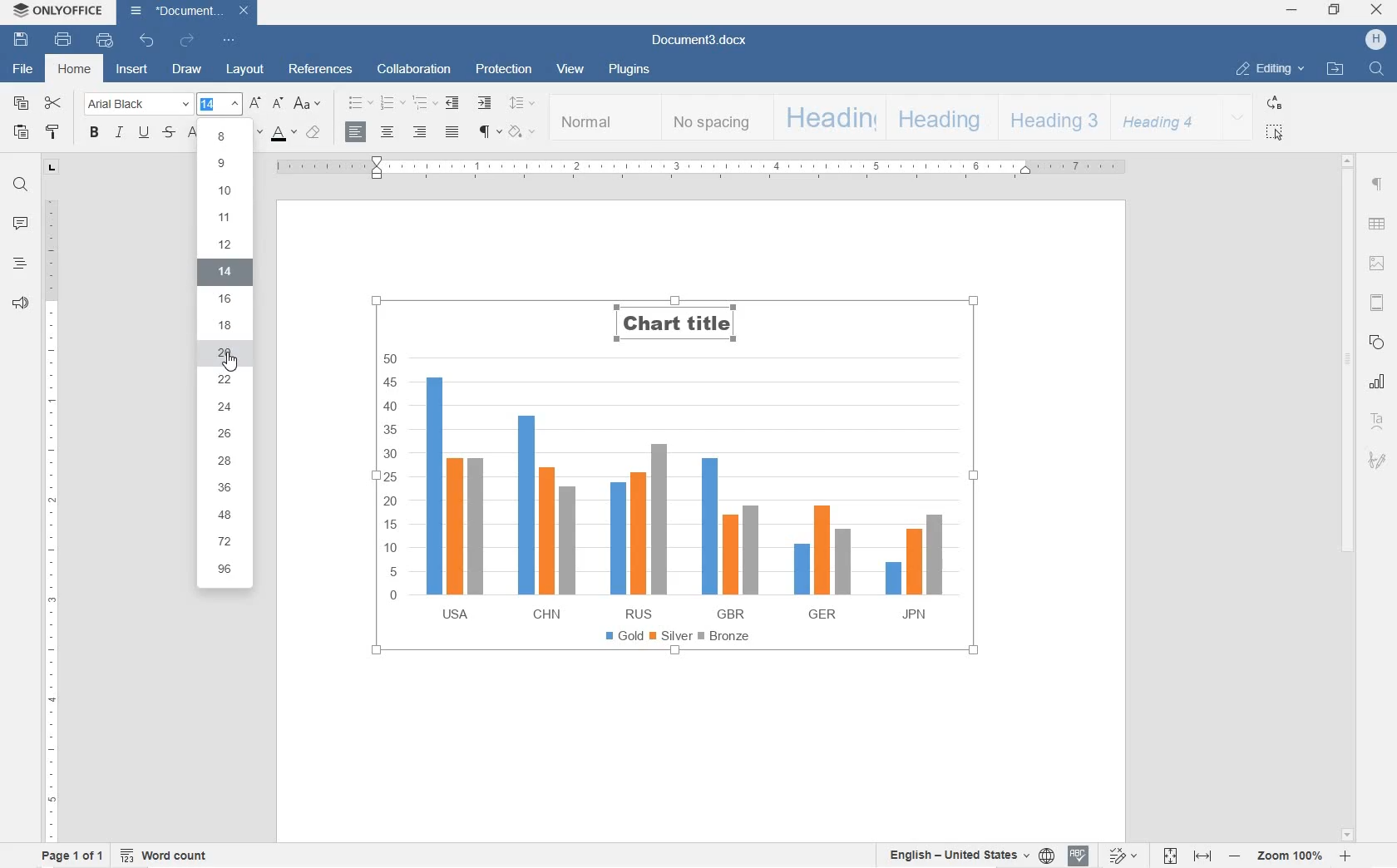 This screenshot has width=1397, height=868. I want to click on 24, so click(225, 408).